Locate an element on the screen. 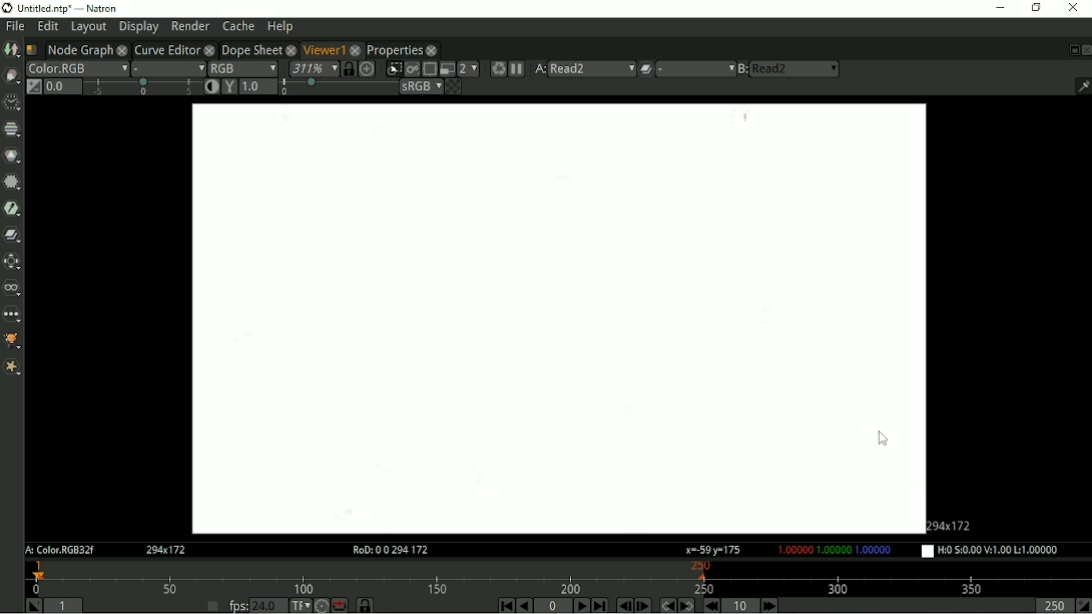  H:O is located at coordinates (997, 551).